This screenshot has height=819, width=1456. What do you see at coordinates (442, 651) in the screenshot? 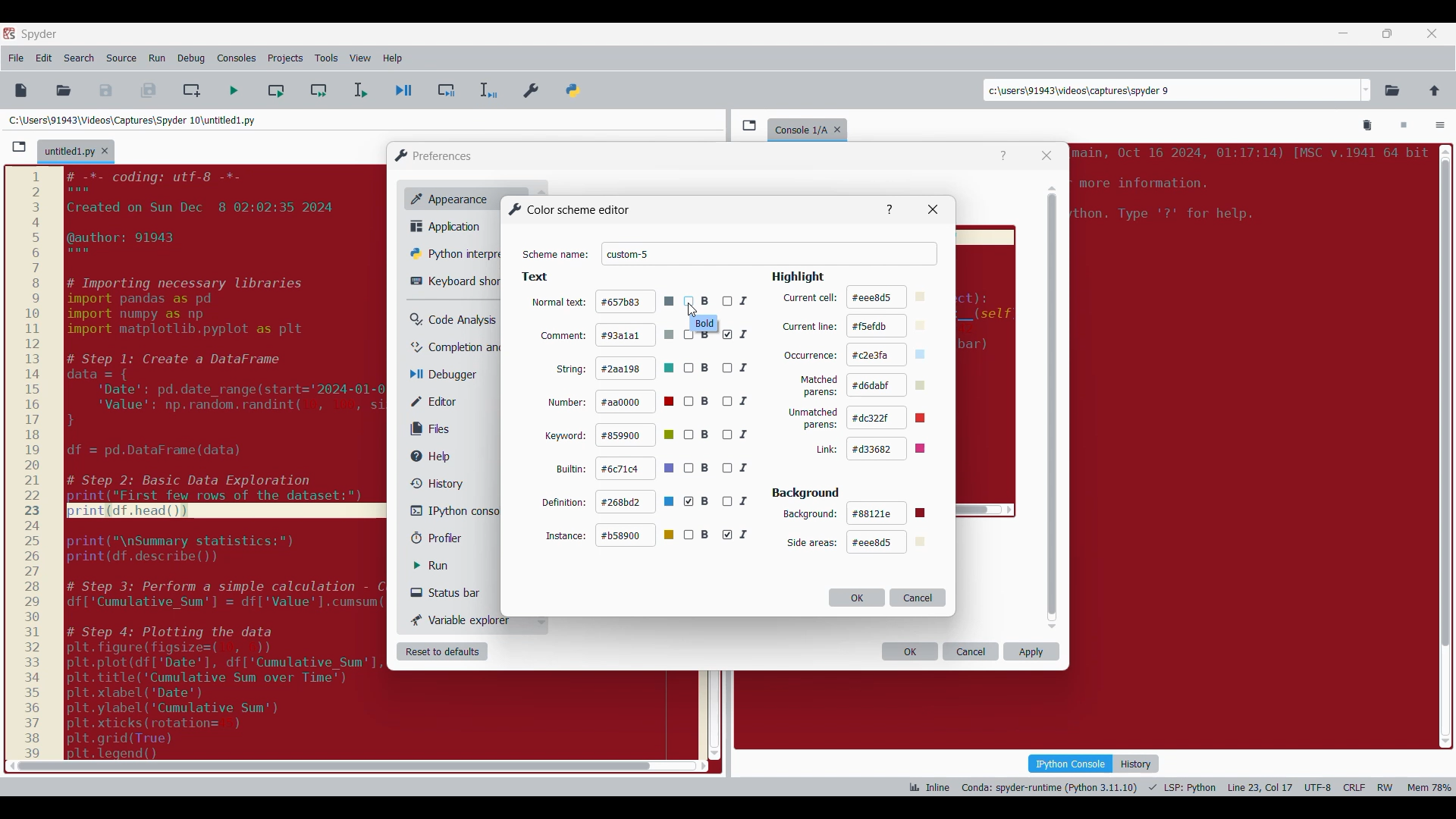
I see `Reset to defaults` at bounding box center [442, 651].